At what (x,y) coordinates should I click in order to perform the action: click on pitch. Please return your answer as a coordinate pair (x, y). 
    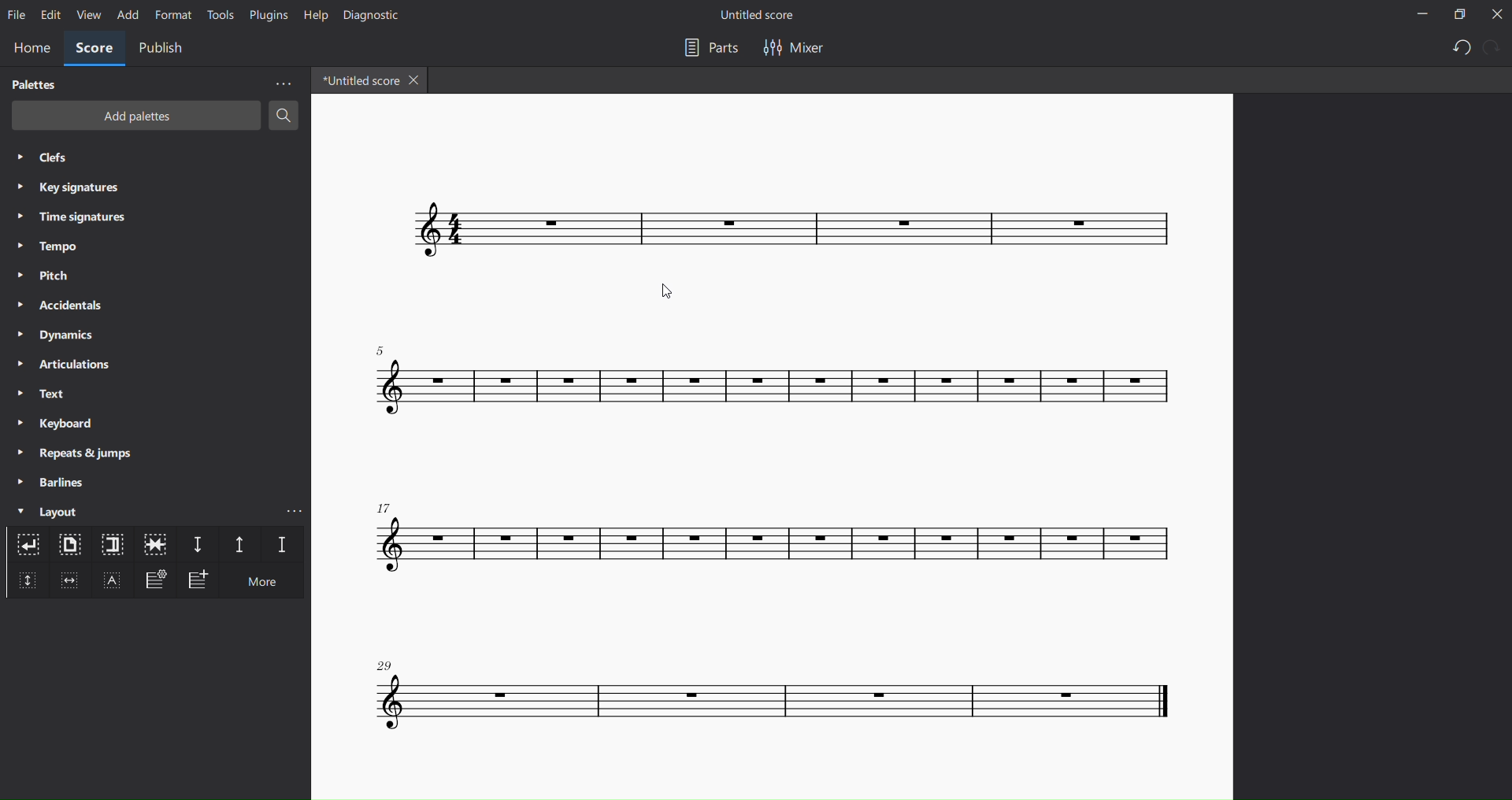
    Looking at the image, I should click on (50, 276).